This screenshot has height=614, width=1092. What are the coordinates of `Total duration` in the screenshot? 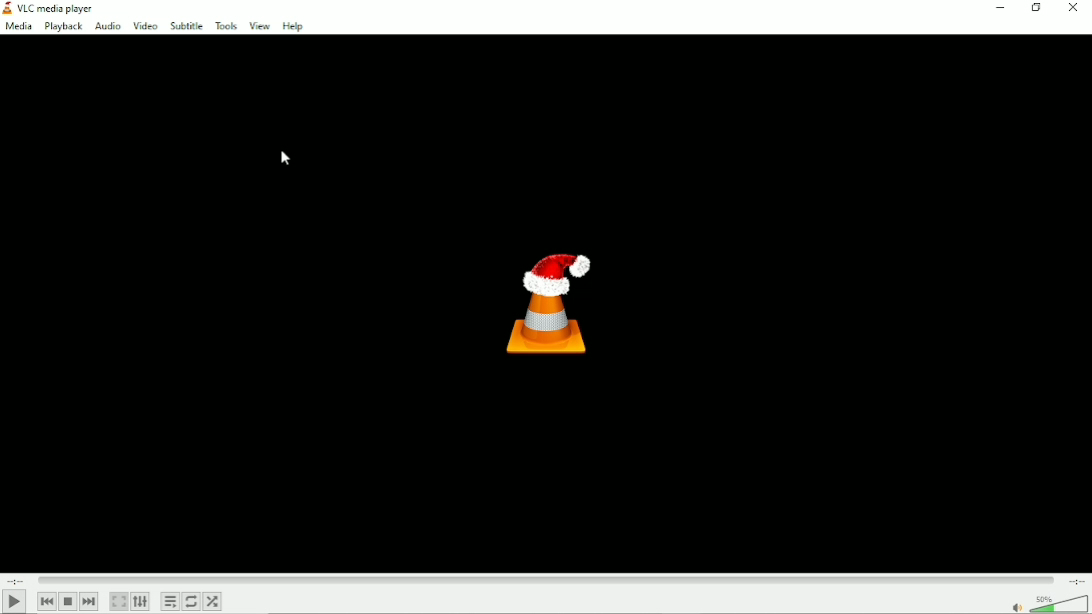 It's located at (1076, 579).